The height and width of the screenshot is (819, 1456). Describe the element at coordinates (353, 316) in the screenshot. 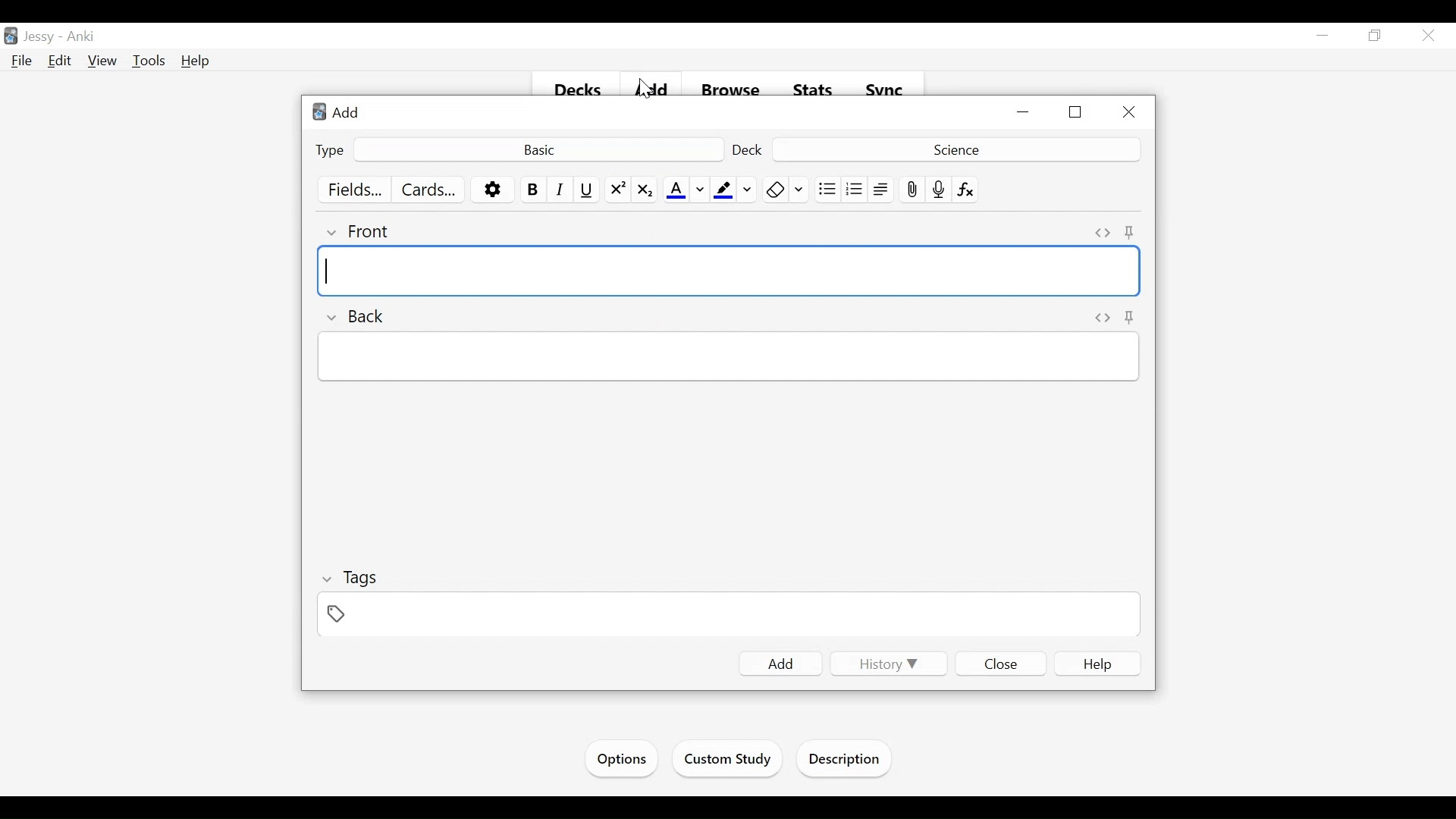

I see `Back ` at that location.